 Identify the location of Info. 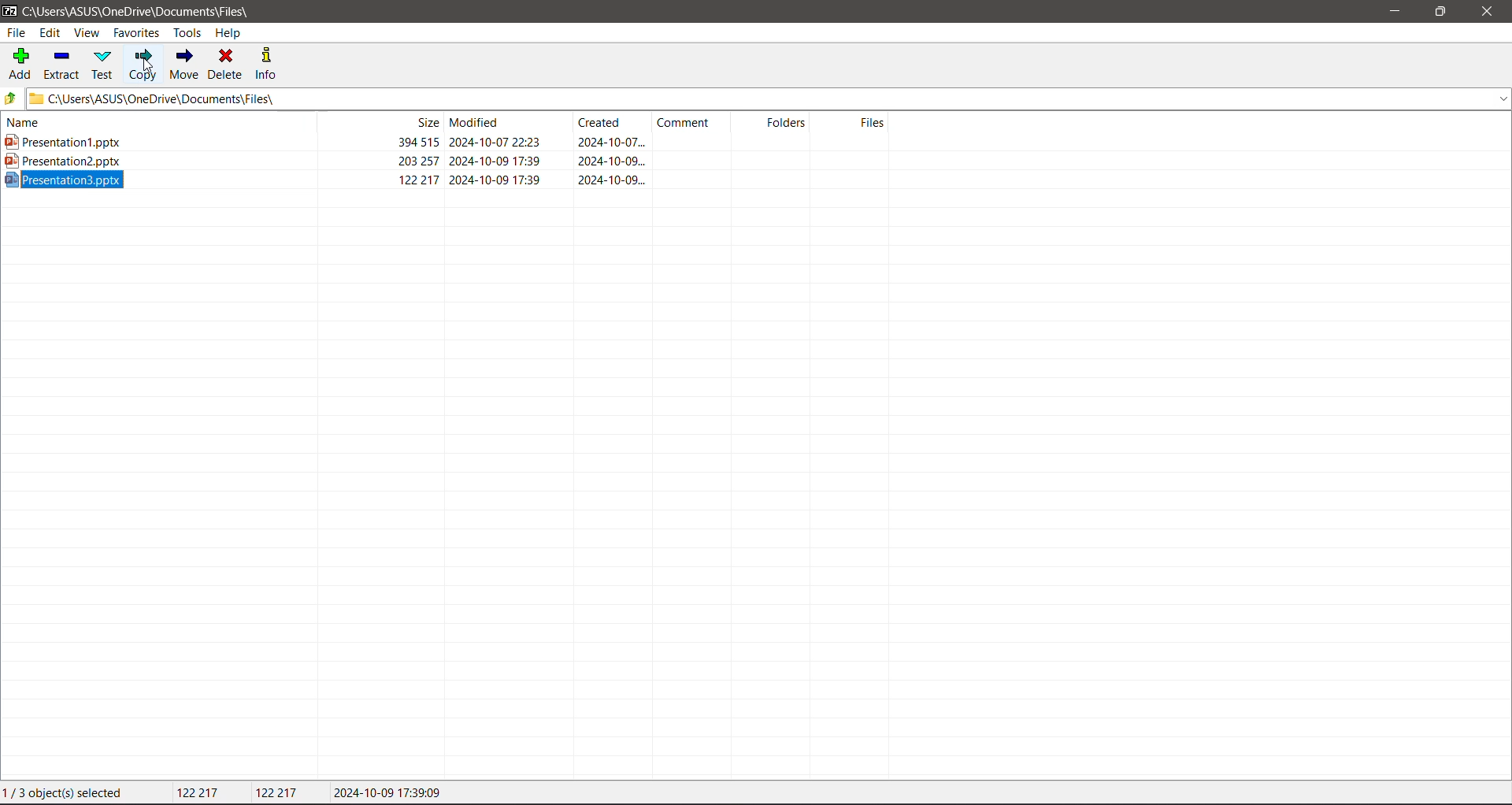
(269, 65).